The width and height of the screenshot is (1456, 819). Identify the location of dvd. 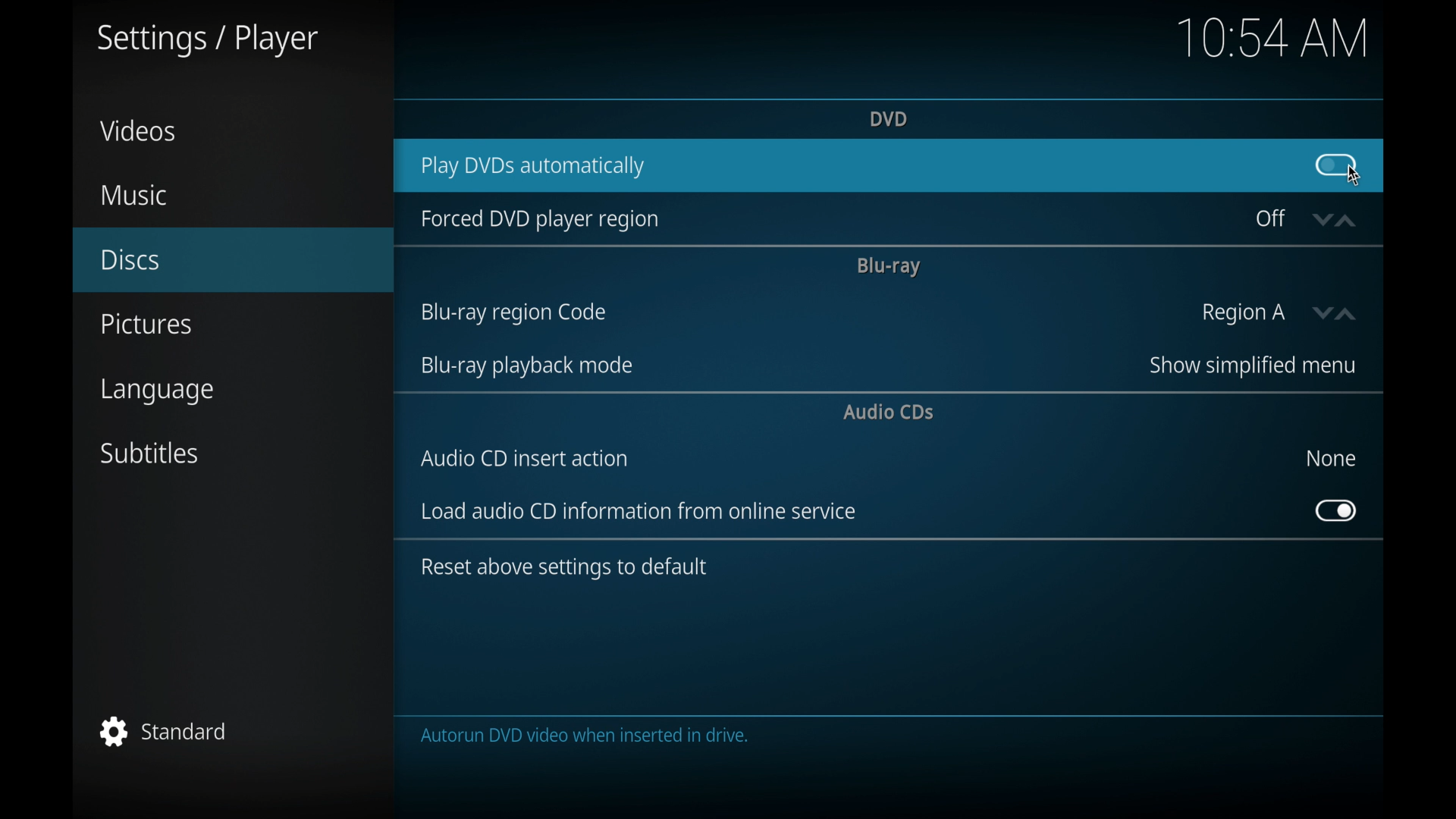
(887, 118).